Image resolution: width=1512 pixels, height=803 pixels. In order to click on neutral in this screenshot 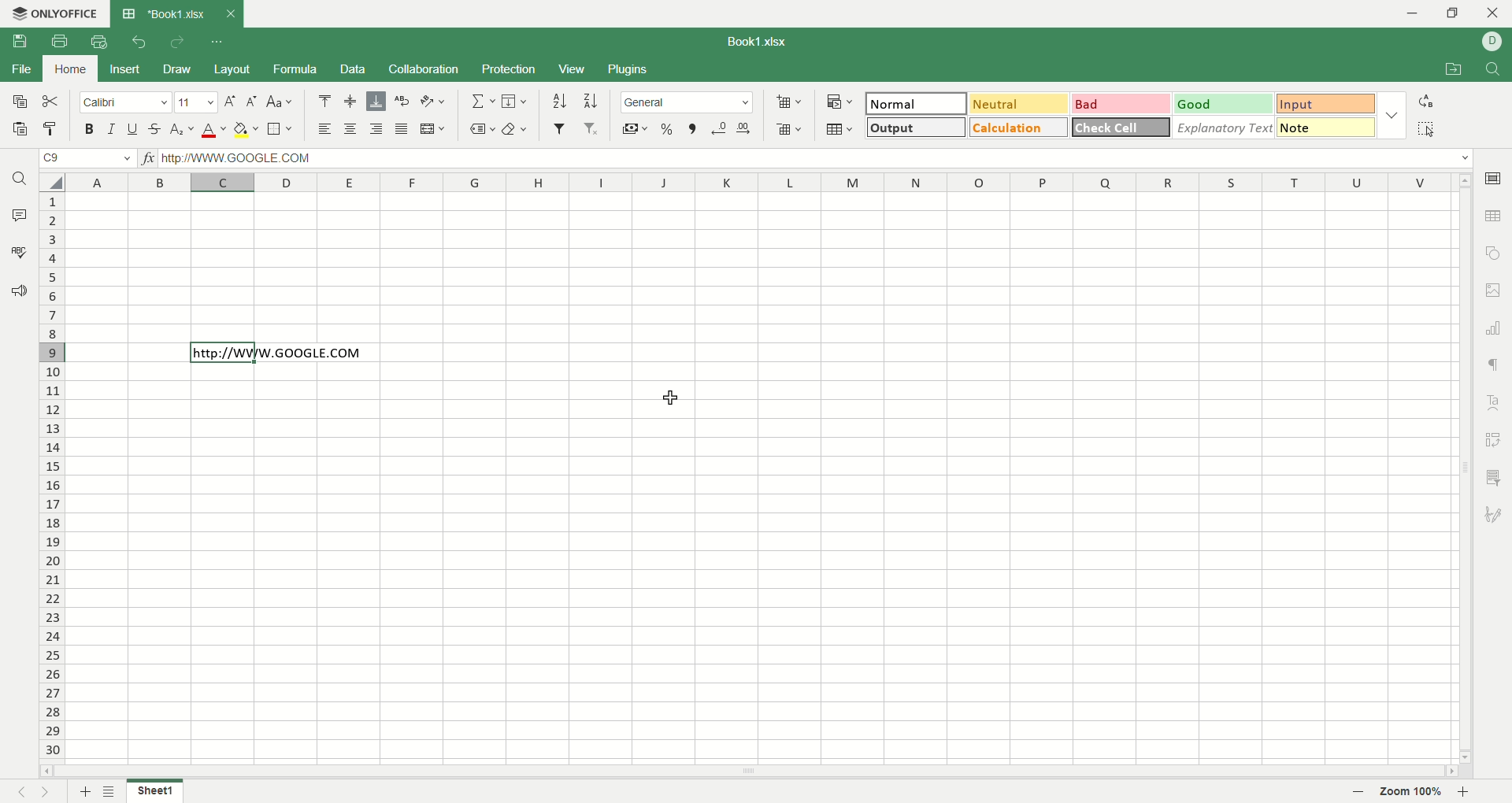, I will do `click(1017, 103)`.